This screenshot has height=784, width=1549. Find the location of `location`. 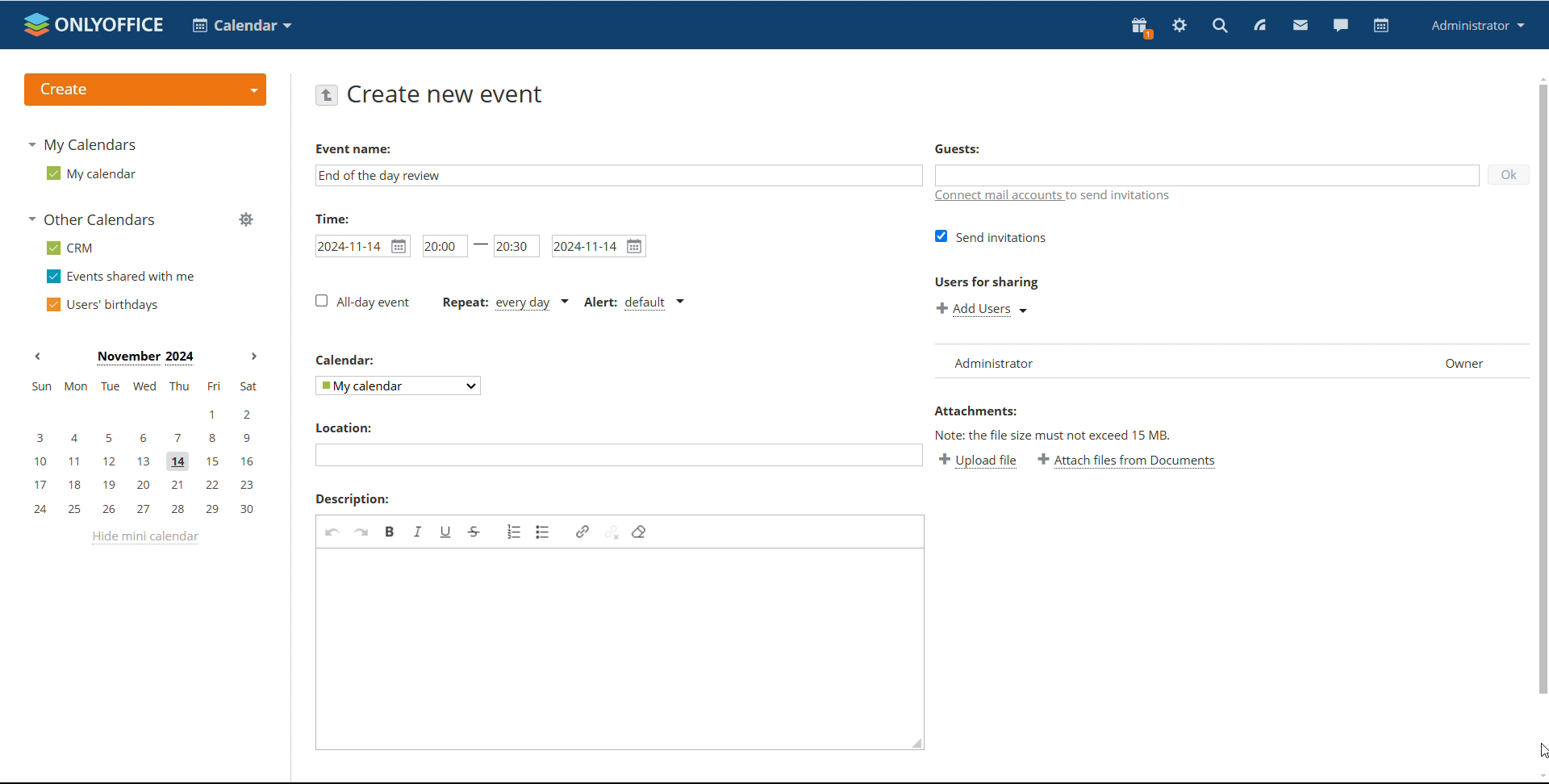

location is located at coordinates (342, 427).